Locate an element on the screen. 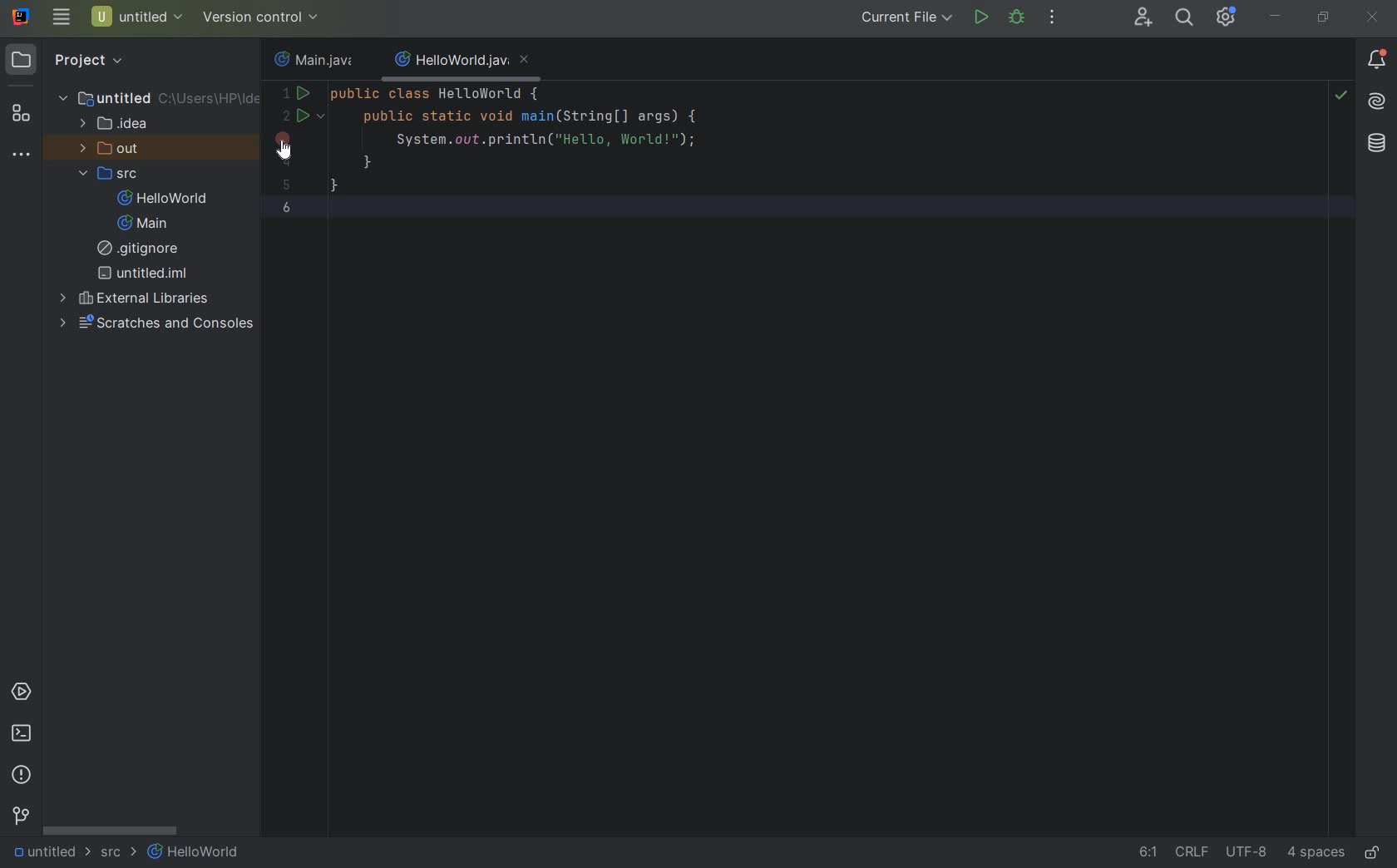 The height and width of the screenshot is (868, 1397). minimize is located at coordinates (1276, 17).